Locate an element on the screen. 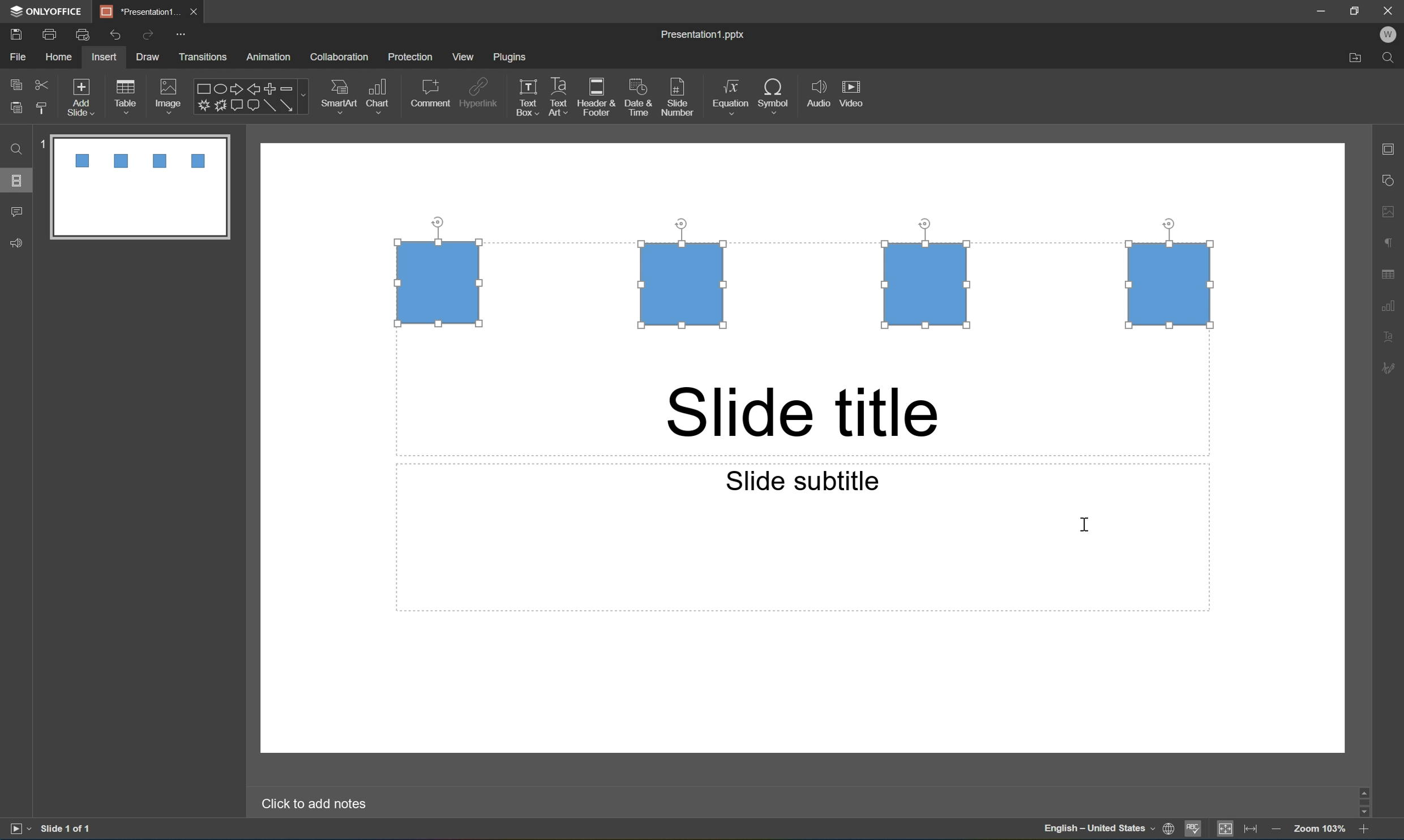 The height and width of the screenshot is (840, 1404). table is located at coordinates (130, 93).